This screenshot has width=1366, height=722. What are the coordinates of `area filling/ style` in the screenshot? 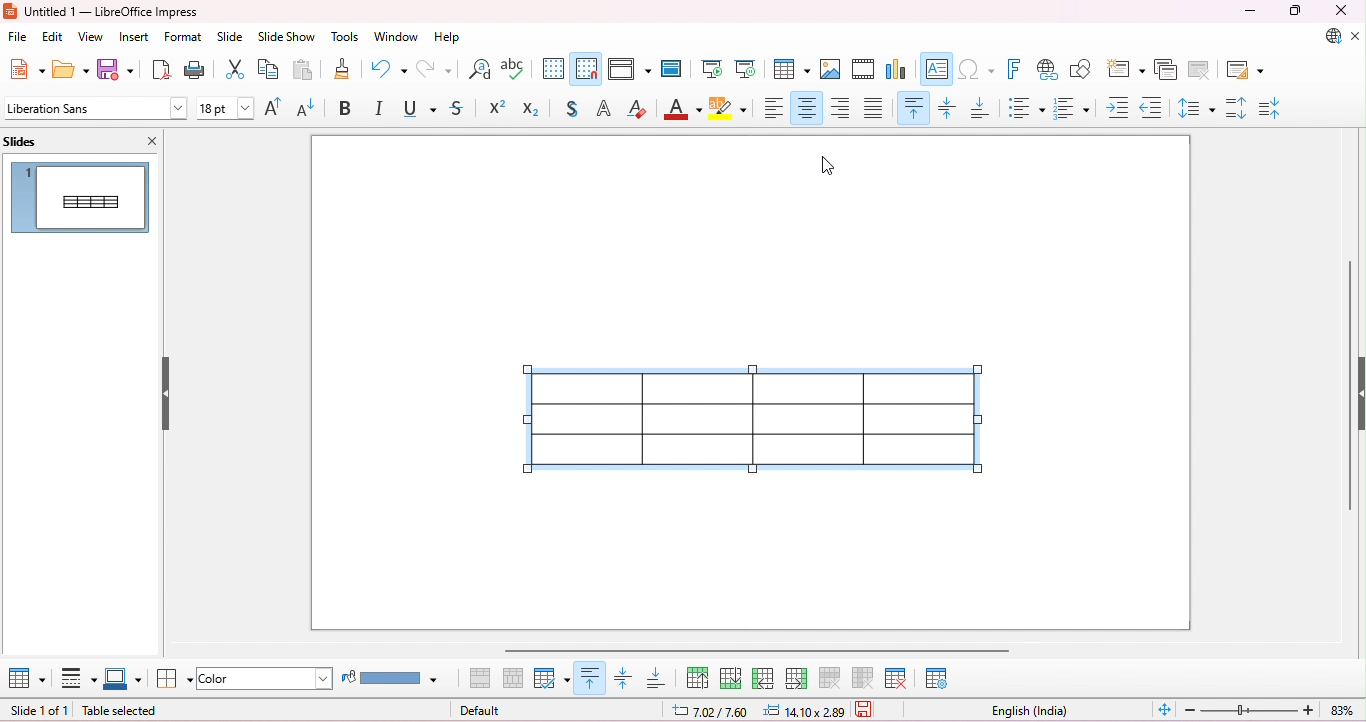 It's located at (267, 678).